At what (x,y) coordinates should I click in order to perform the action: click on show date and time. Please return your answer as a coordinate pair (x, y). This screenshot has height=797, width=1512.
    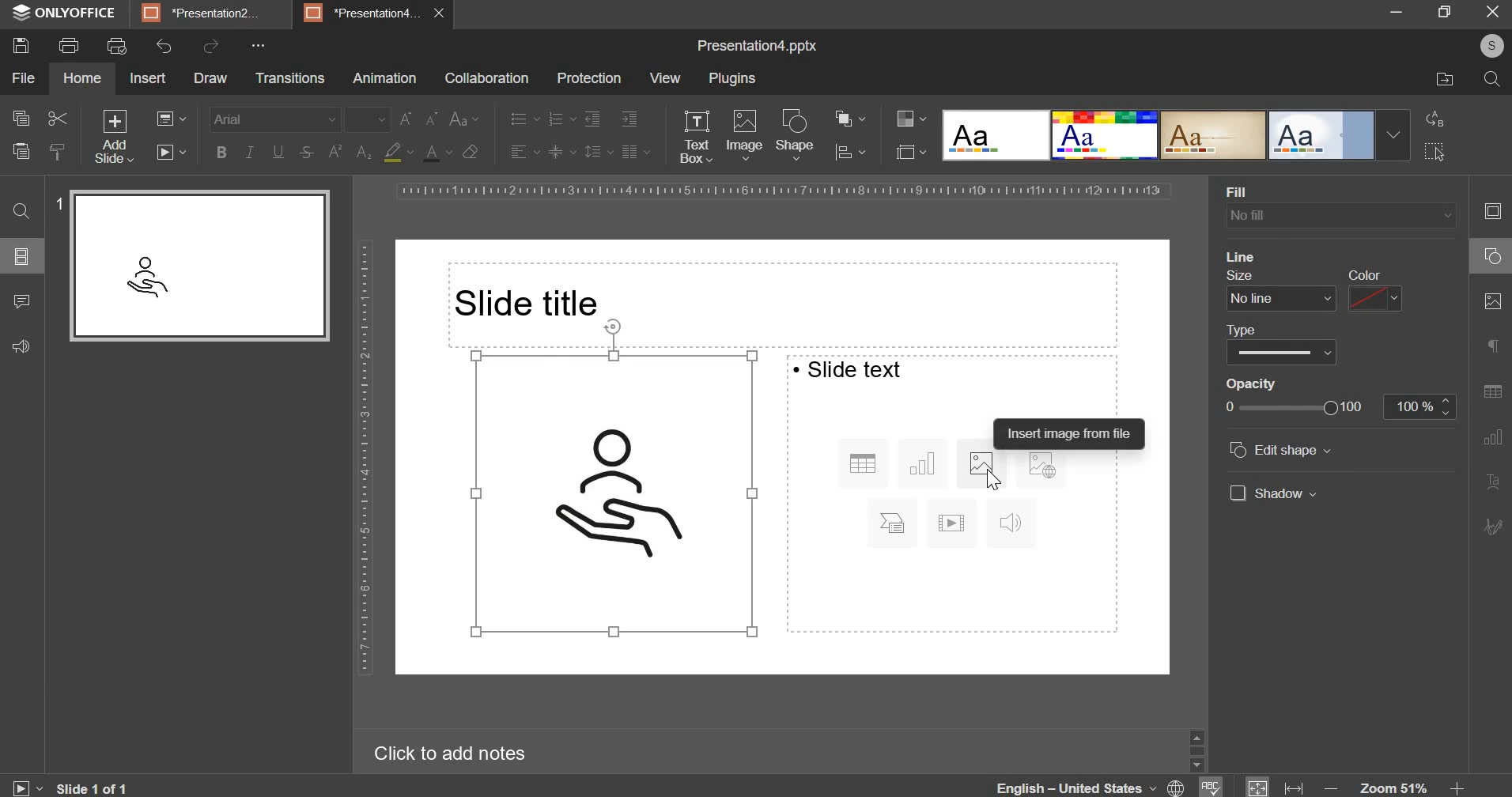
    Looking at the image, I should click on (1321, 493).